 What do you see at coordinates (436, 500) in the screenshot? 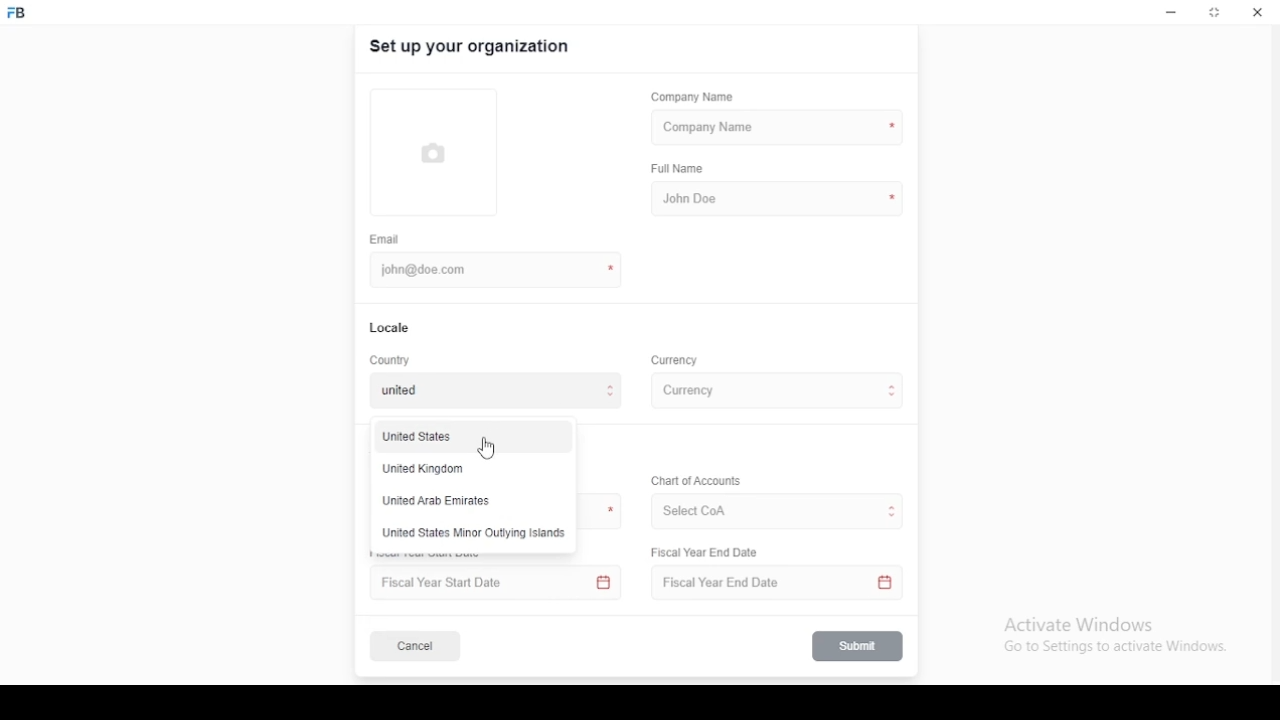
I see `united arab emirates` at bounding box center [436, 500].